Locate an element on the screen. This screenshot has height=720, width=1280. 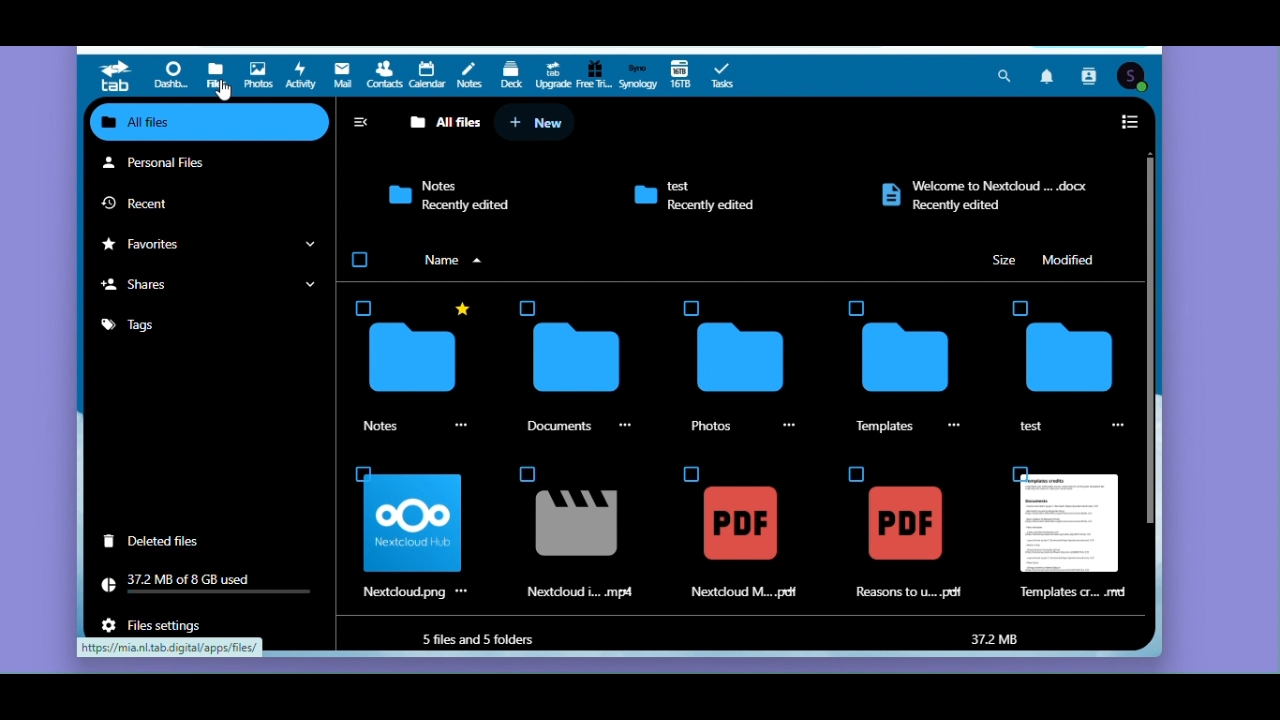
recent is located at coordinates (206, 202).